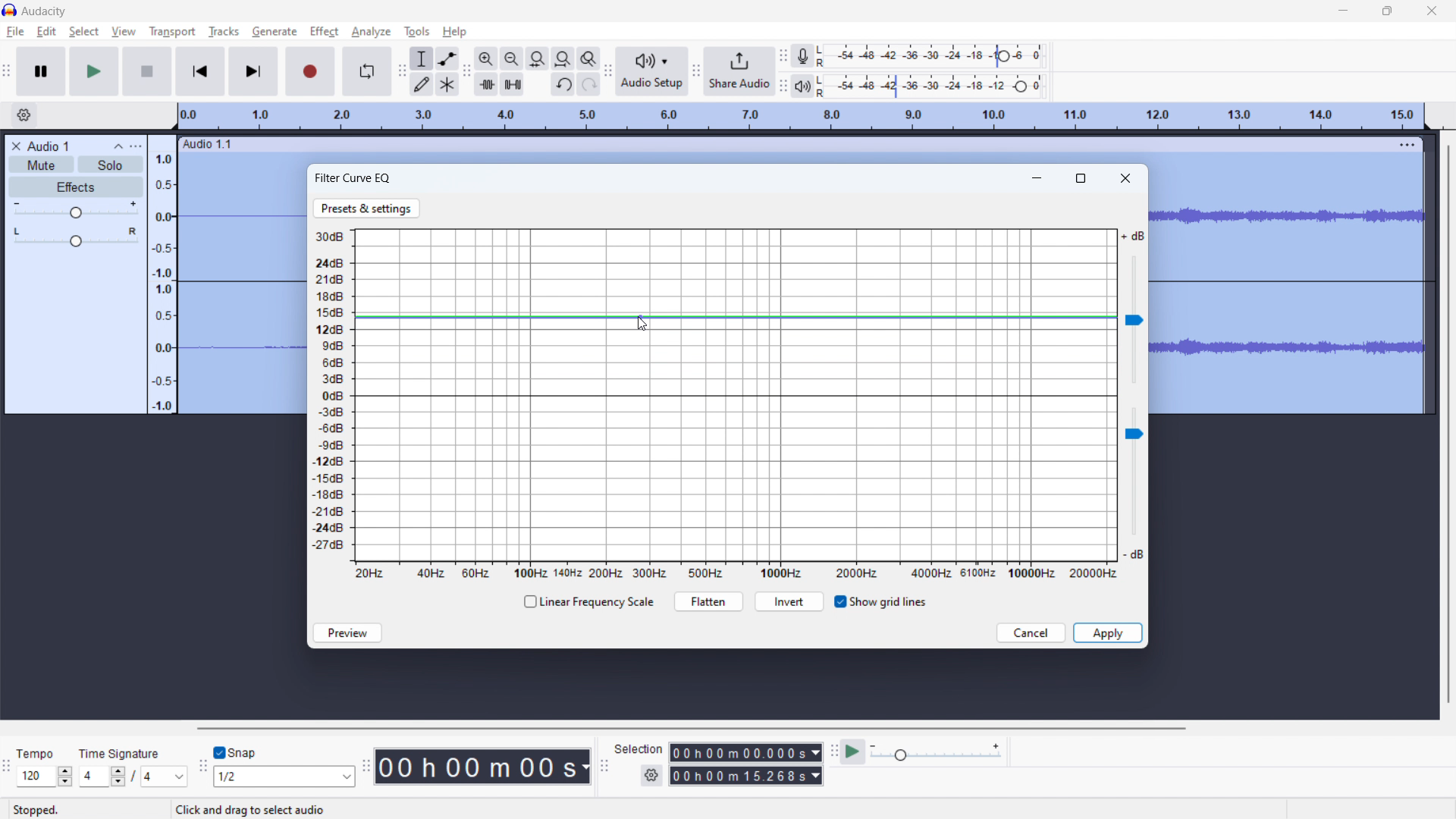 This screenshot has width=1456, height=819. What do you see at coordinates (736, 317) in the screenshot?
I see `EQ line moved` at bounding box center [736, 317].